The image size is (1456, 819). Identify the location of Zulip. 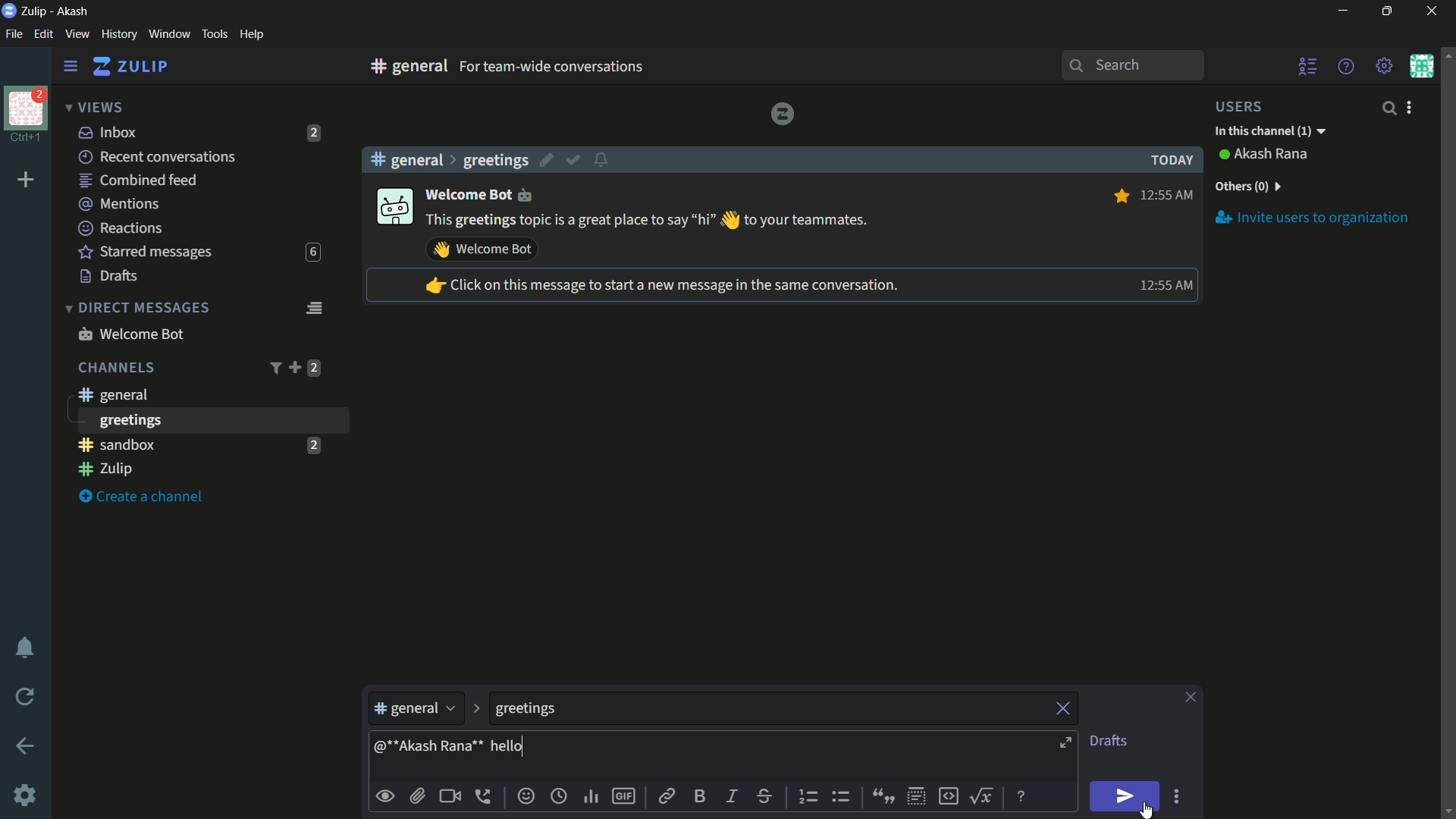
(36, 11).